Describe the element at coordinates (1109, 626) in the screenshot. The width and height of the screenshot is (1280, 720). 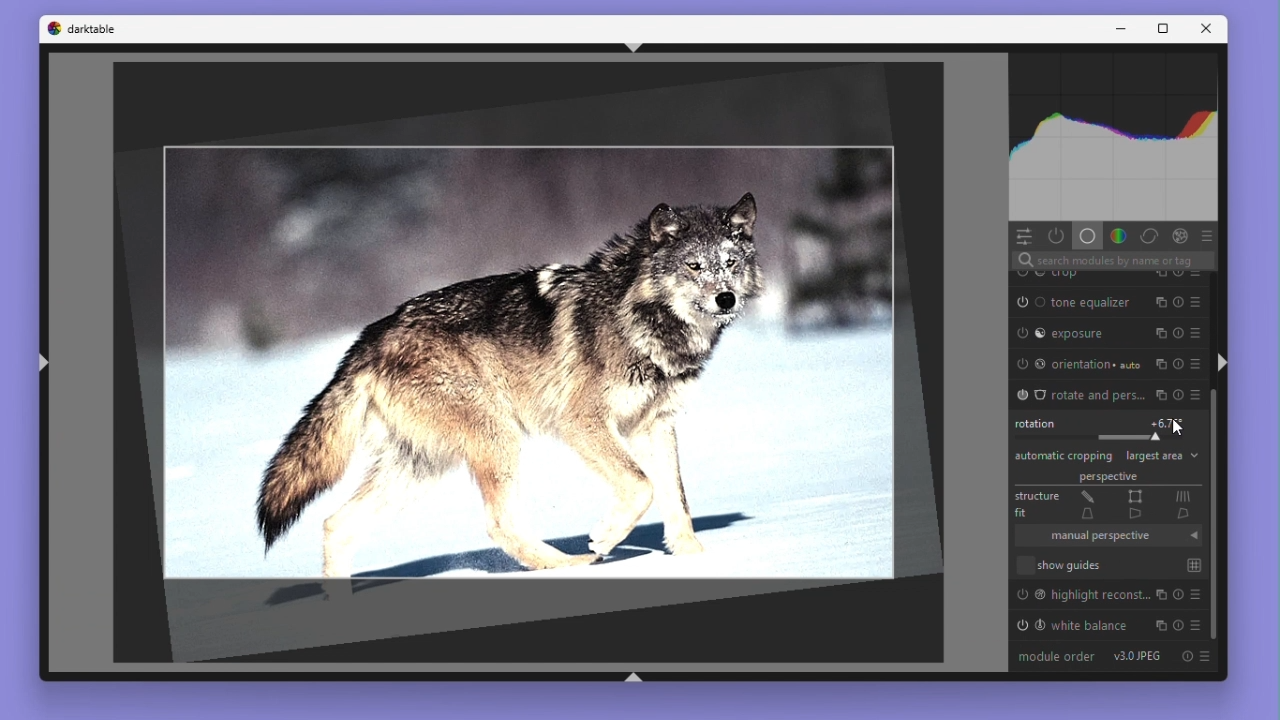
I see `White balance` at that location.